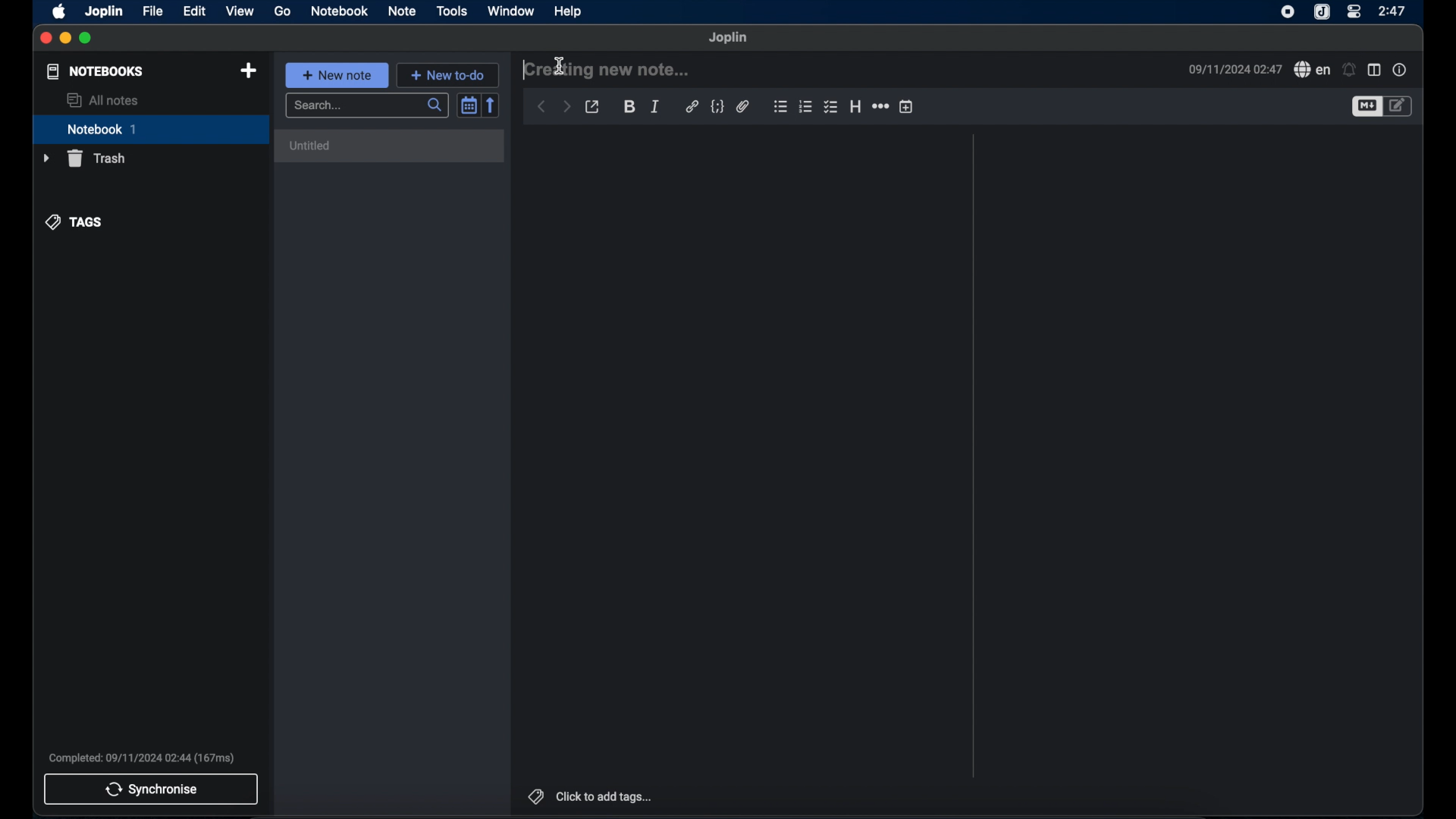 Image resolution: width=1456 pixels, height=819 pixels. What do you see at coordinates (105, 12) in the screenshot?
I see `joplin` at bounding box center [105, 12].